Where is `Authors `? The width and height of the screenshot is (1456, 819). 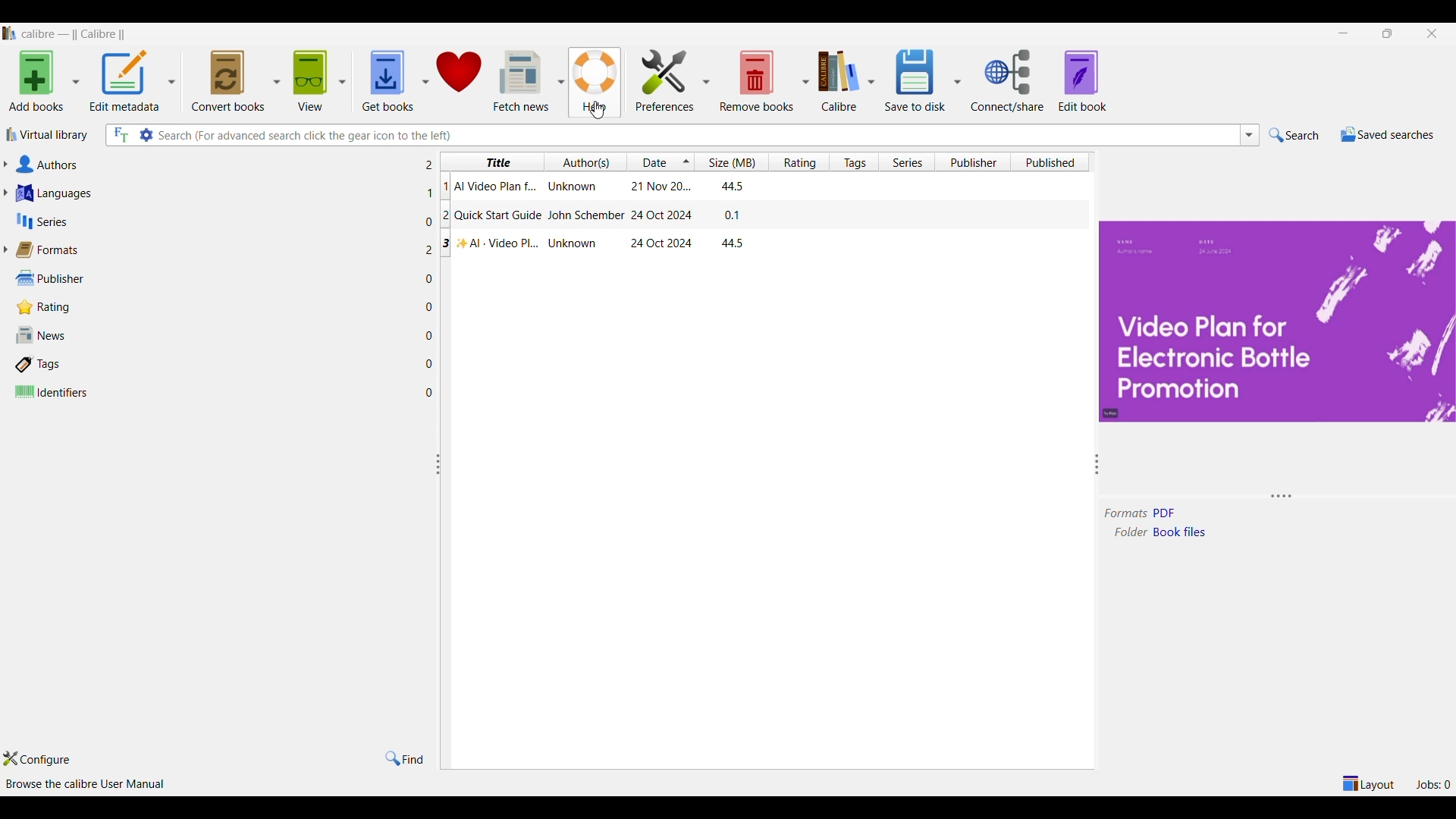
Authors  is located at coordinates (208, 164).